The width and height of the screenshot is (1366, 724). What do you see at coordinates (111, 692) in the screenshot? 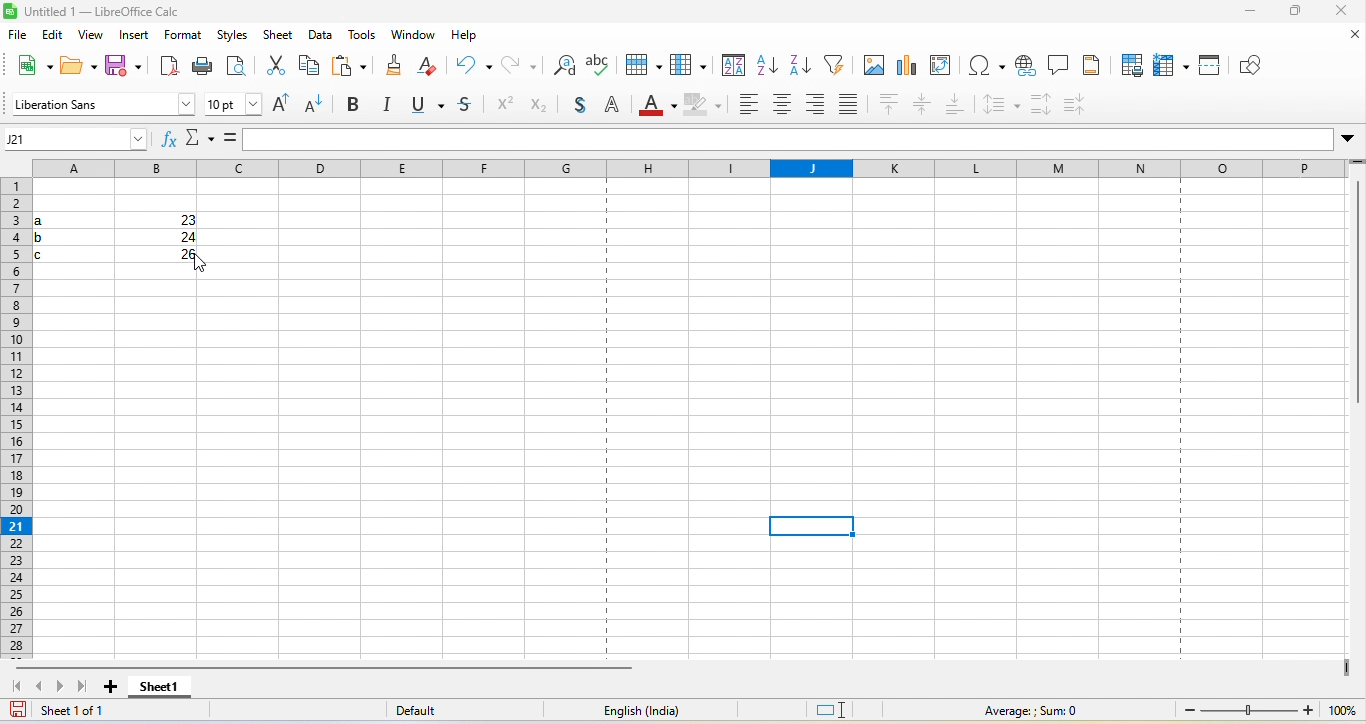
I see `add new sheet ` at bounding box center [111, 692].